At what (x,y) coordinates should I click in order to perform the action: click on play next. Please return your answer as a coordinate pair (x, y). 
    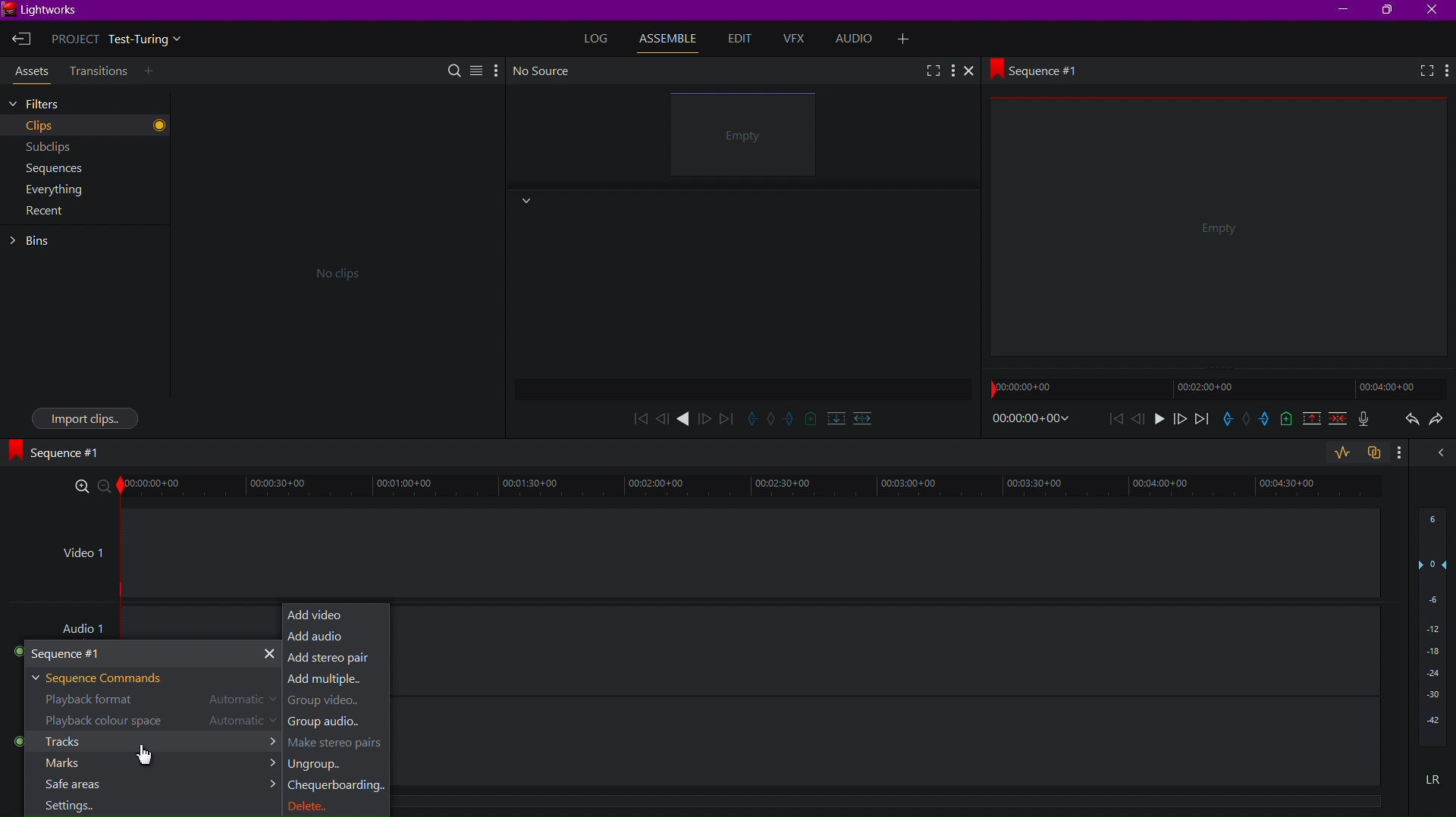
    Looking at the image, I should click on (726, 418).